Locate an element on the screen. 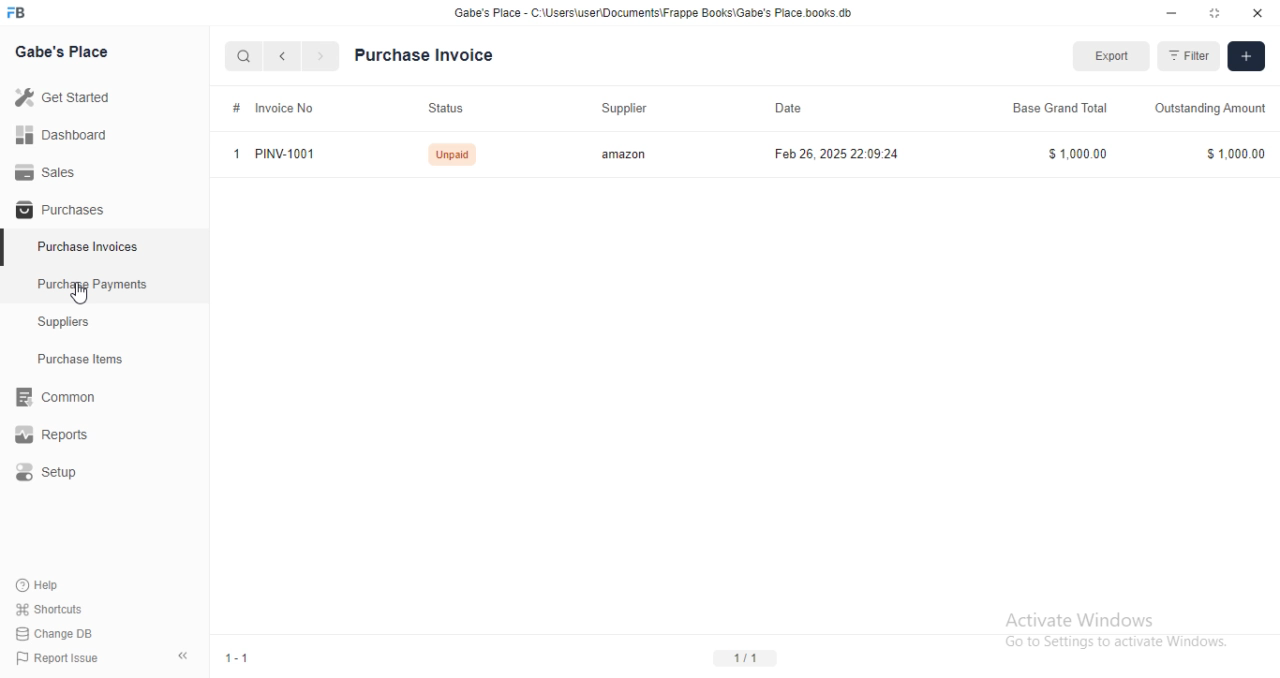 The height and width of the screenshot is (678, 1280). Supplier is located at coordinates (621, 108).